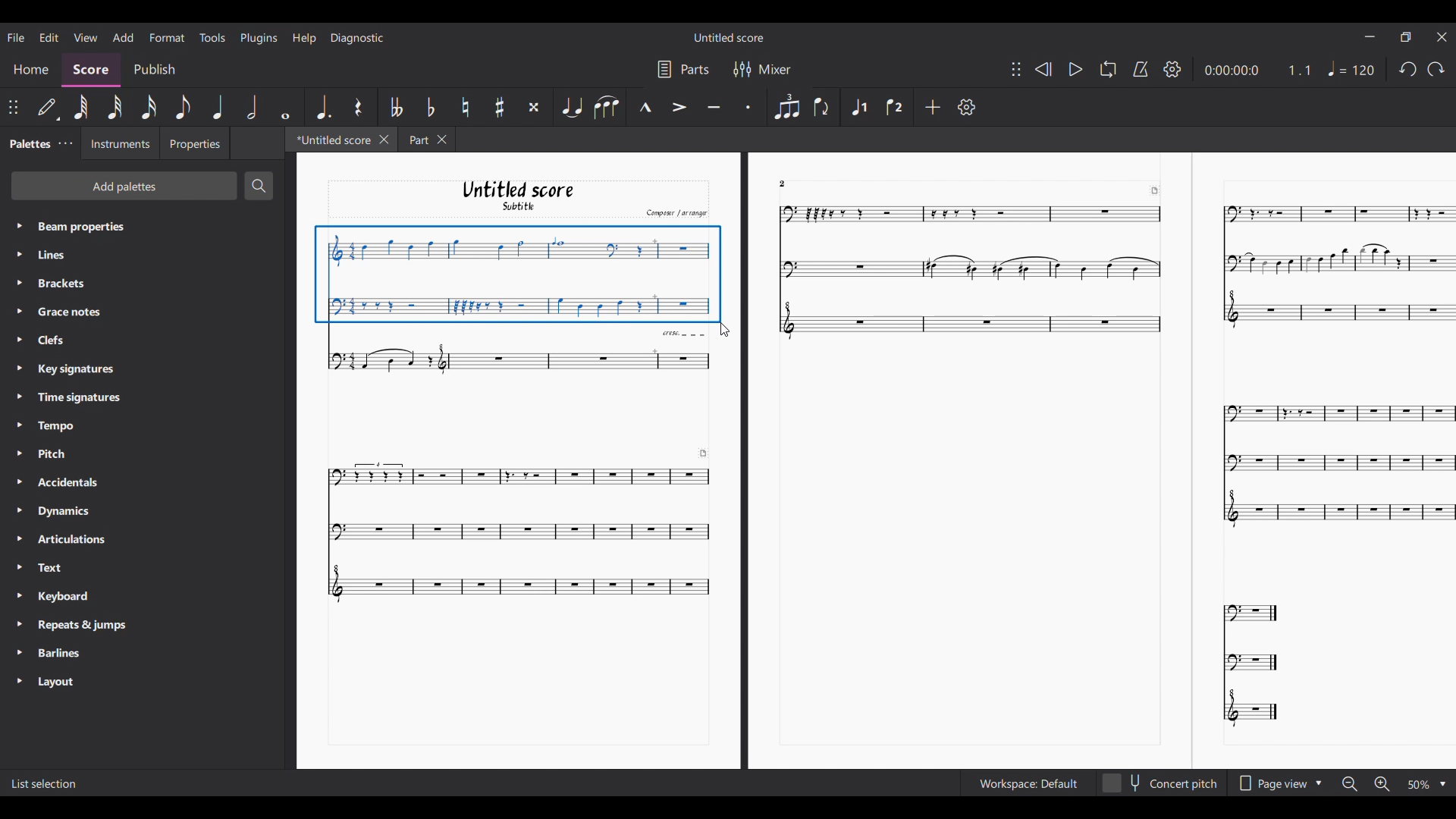  Describe the element at coordinates (15, 682) in the screenshot. I see `` at that location.